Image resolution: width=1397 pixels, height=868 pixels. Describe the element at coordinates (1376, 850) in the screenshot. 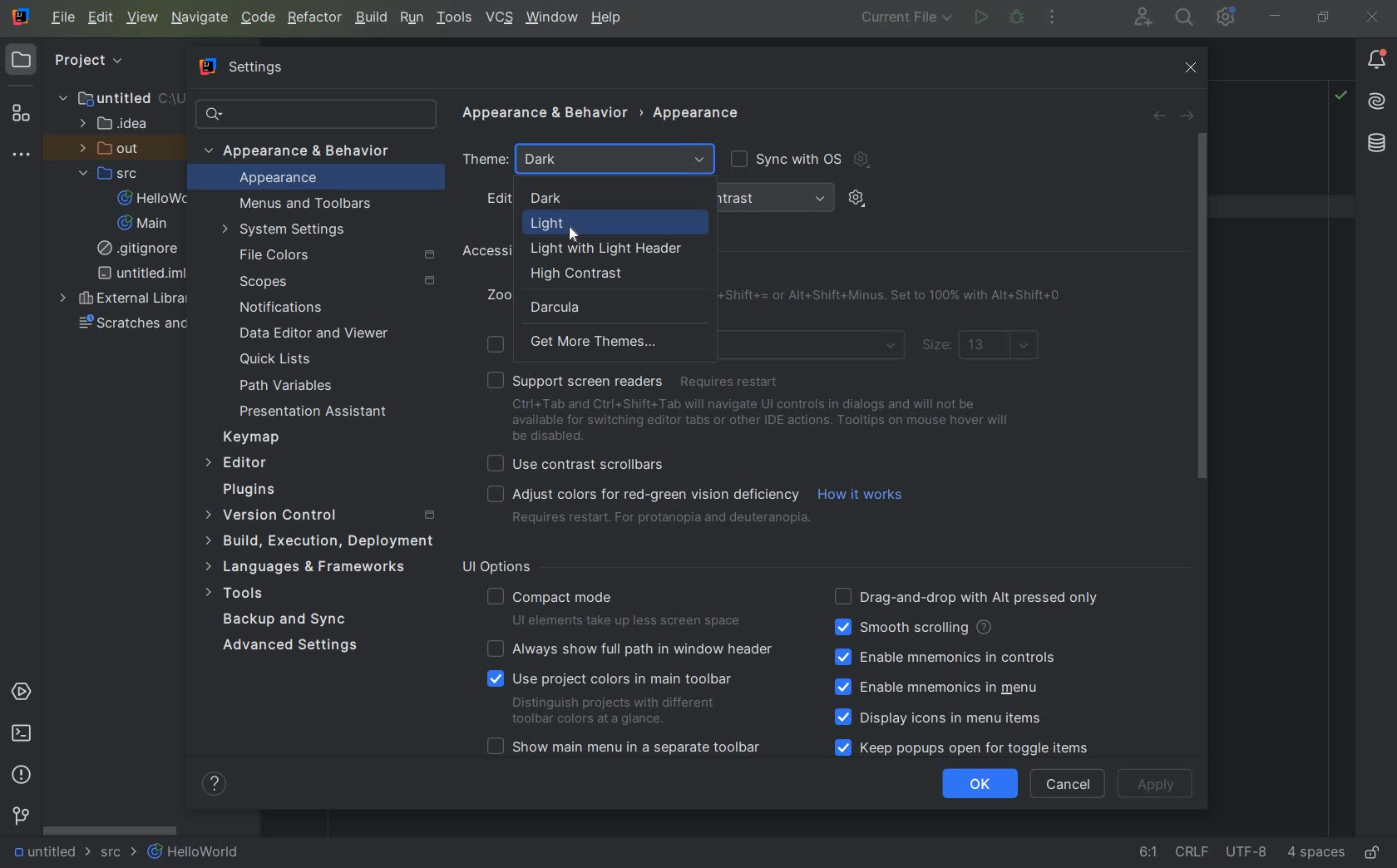

I see `edit or read only mode` at that location.